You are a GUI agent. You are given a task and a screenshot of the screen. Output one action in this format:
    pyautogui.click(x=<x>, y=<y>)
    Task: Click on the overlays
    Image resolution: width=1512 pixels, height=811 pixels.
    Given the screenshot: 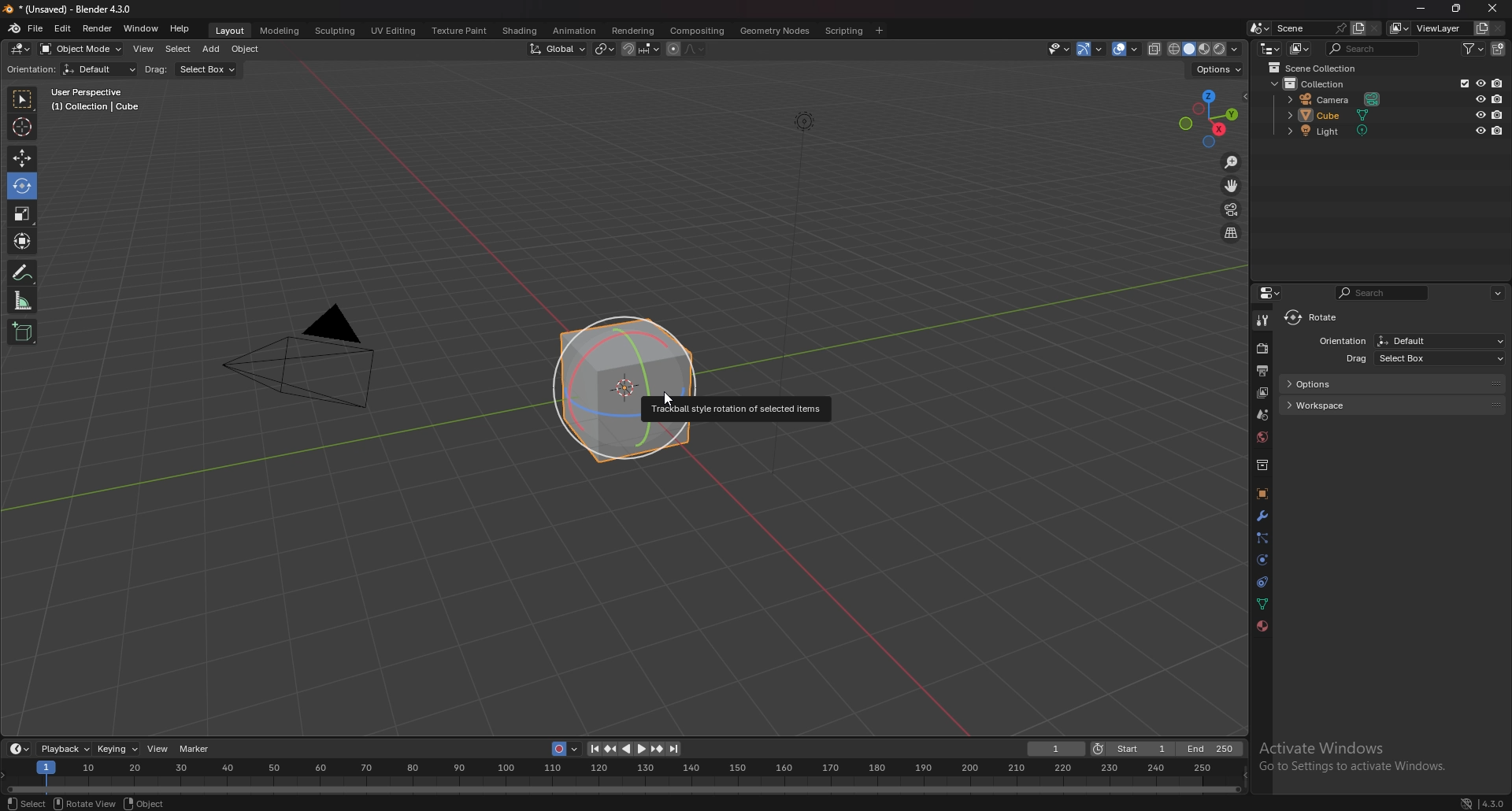 What is the action you would take?
    pyautogui.click(x=1127, y=49)
    